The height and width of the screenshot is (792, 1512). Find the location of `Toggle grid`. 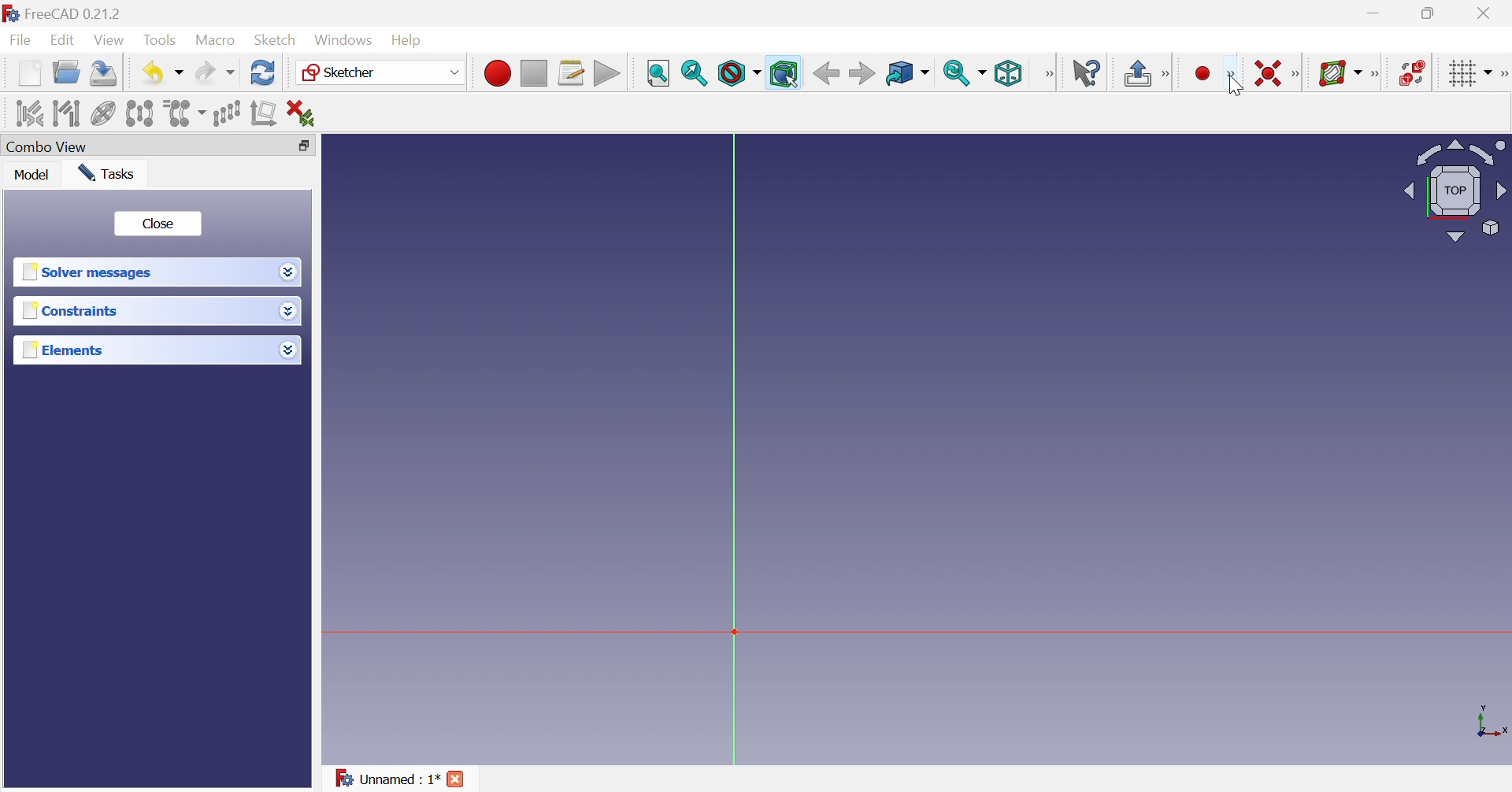

Toggle grid is located at coordinates (1469, 72).